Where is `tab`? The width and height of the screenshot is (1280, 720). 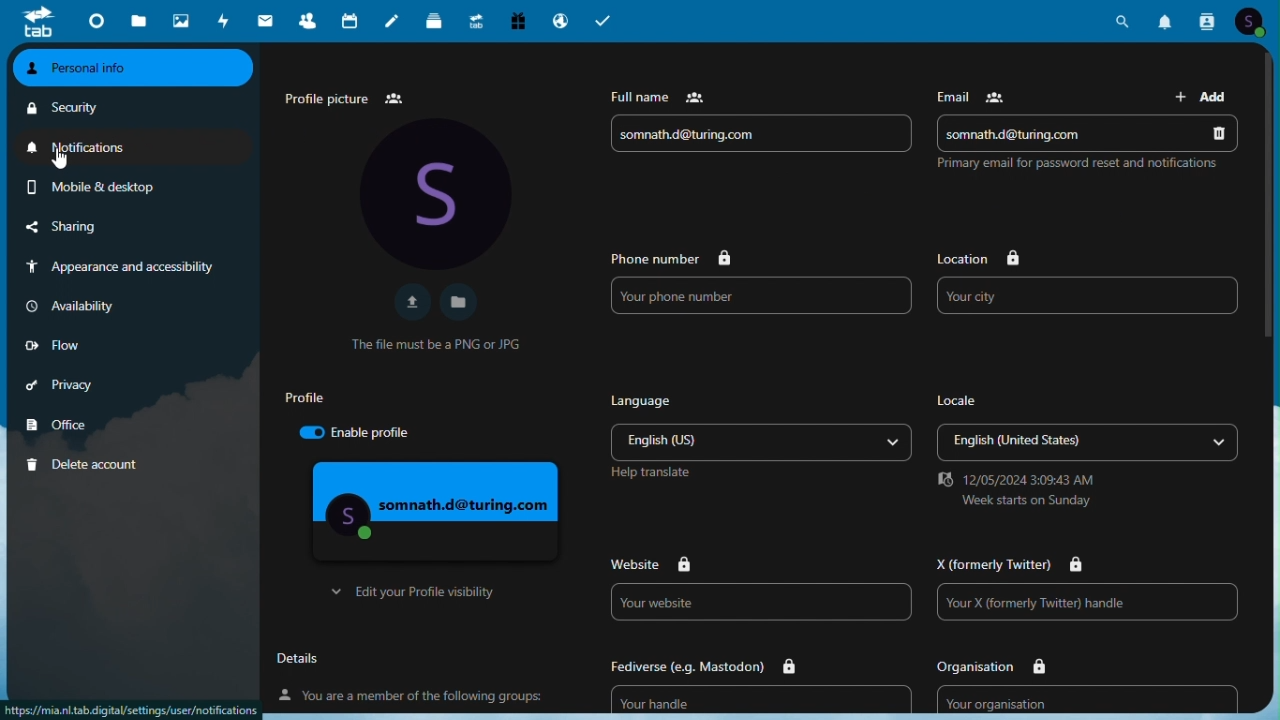 tab is located at coordinates (31, 21).